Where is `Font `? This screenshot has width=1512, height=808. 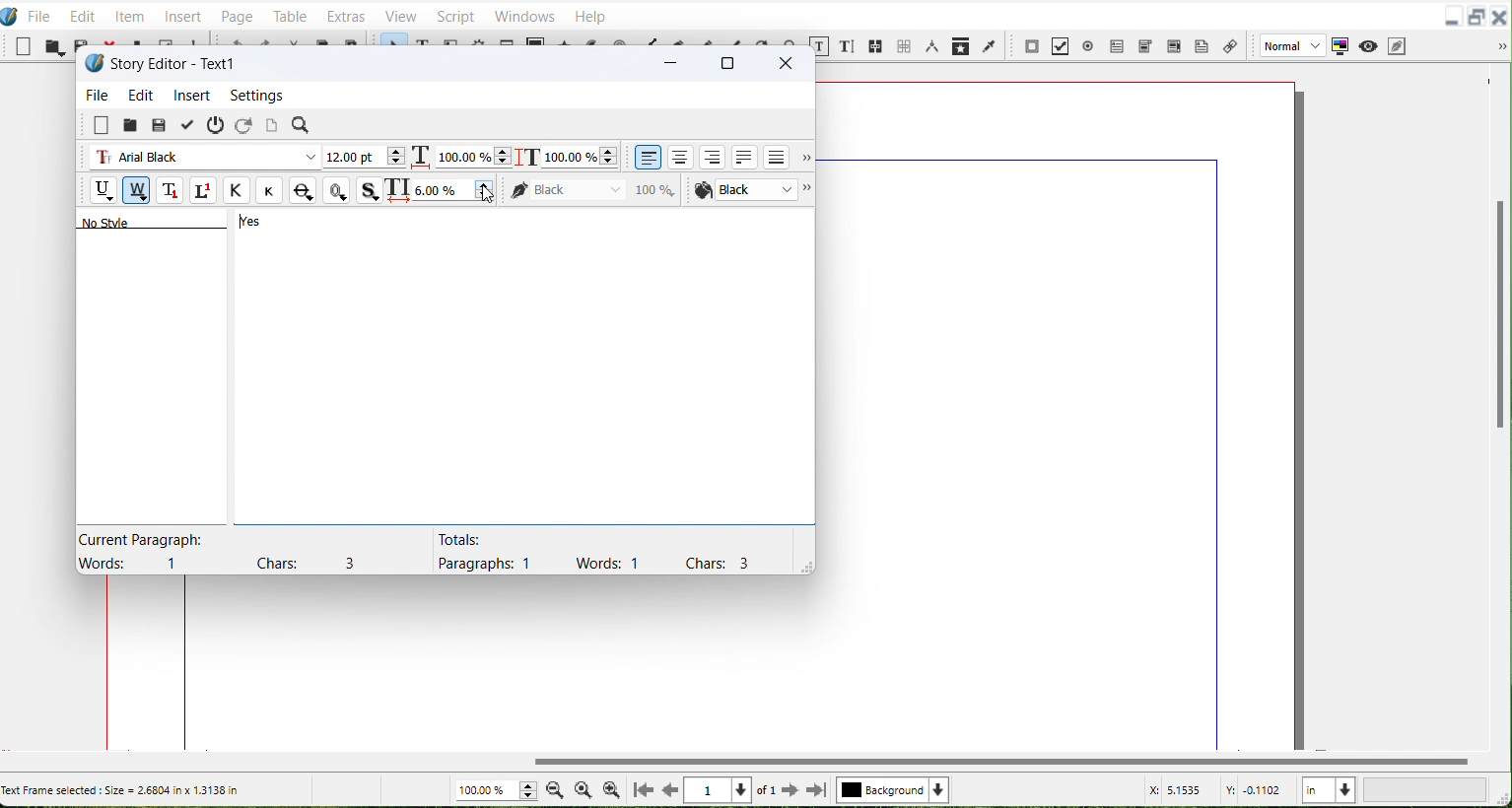
Font  is located at coordinates (201, 156).